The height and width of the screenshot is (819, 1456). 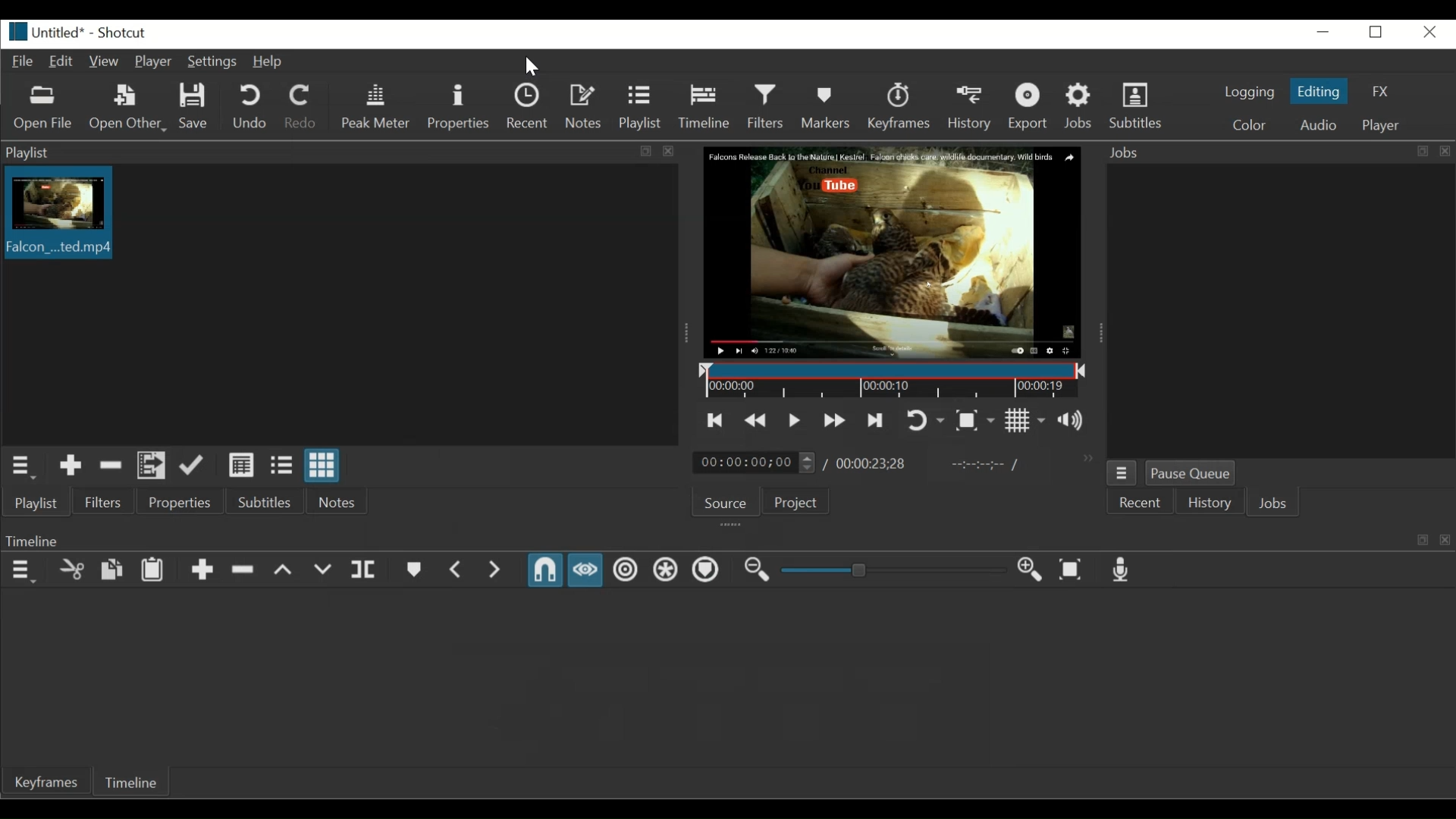 I want to click on Save, so click(x=193, y=106).